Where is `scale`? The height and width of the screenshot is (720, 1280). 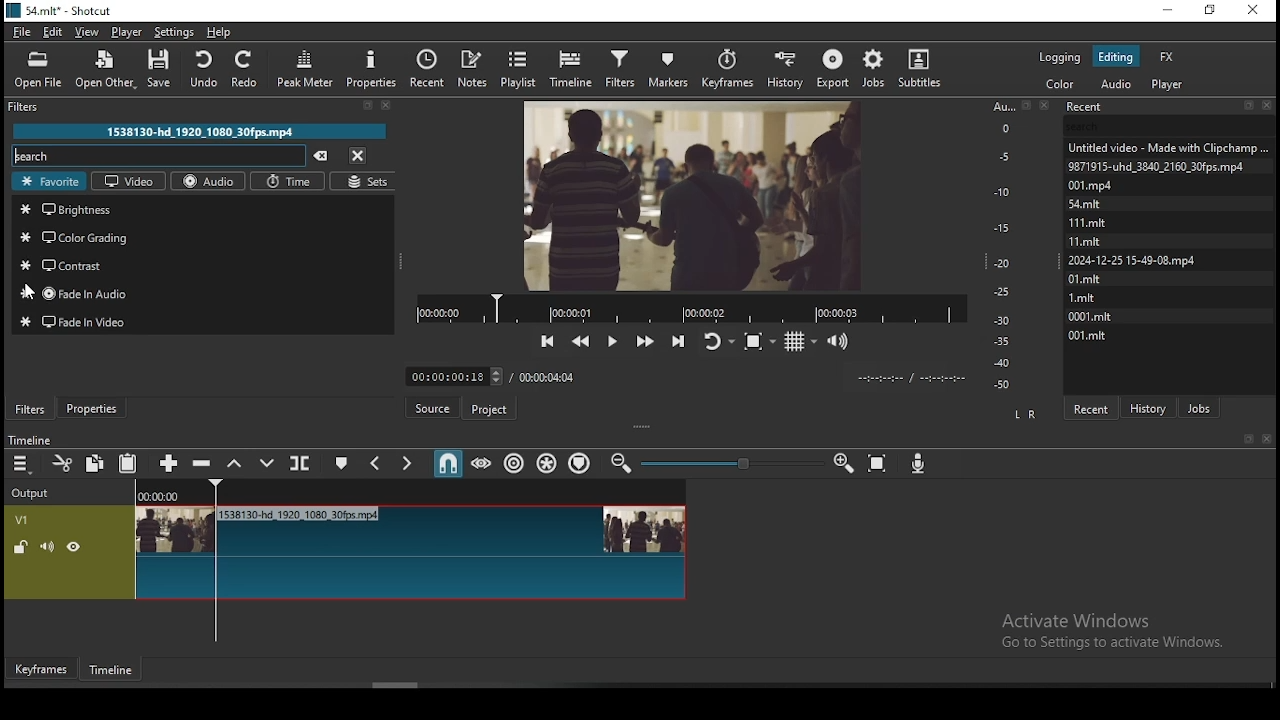 scale is located at coordinates (1005, 246).